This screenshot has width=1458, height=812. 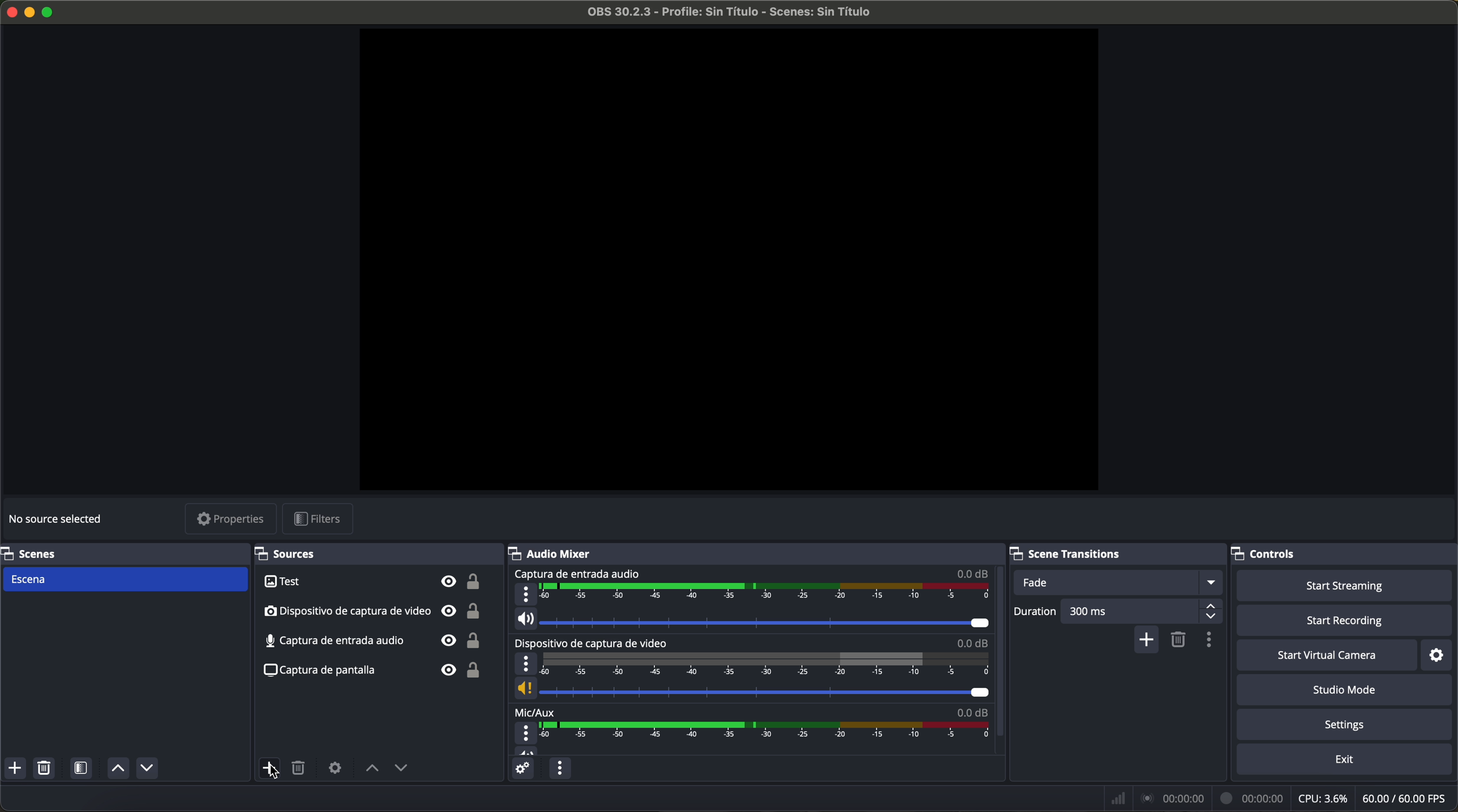 I want to click on transition properties, so click(x=1211, y=641).